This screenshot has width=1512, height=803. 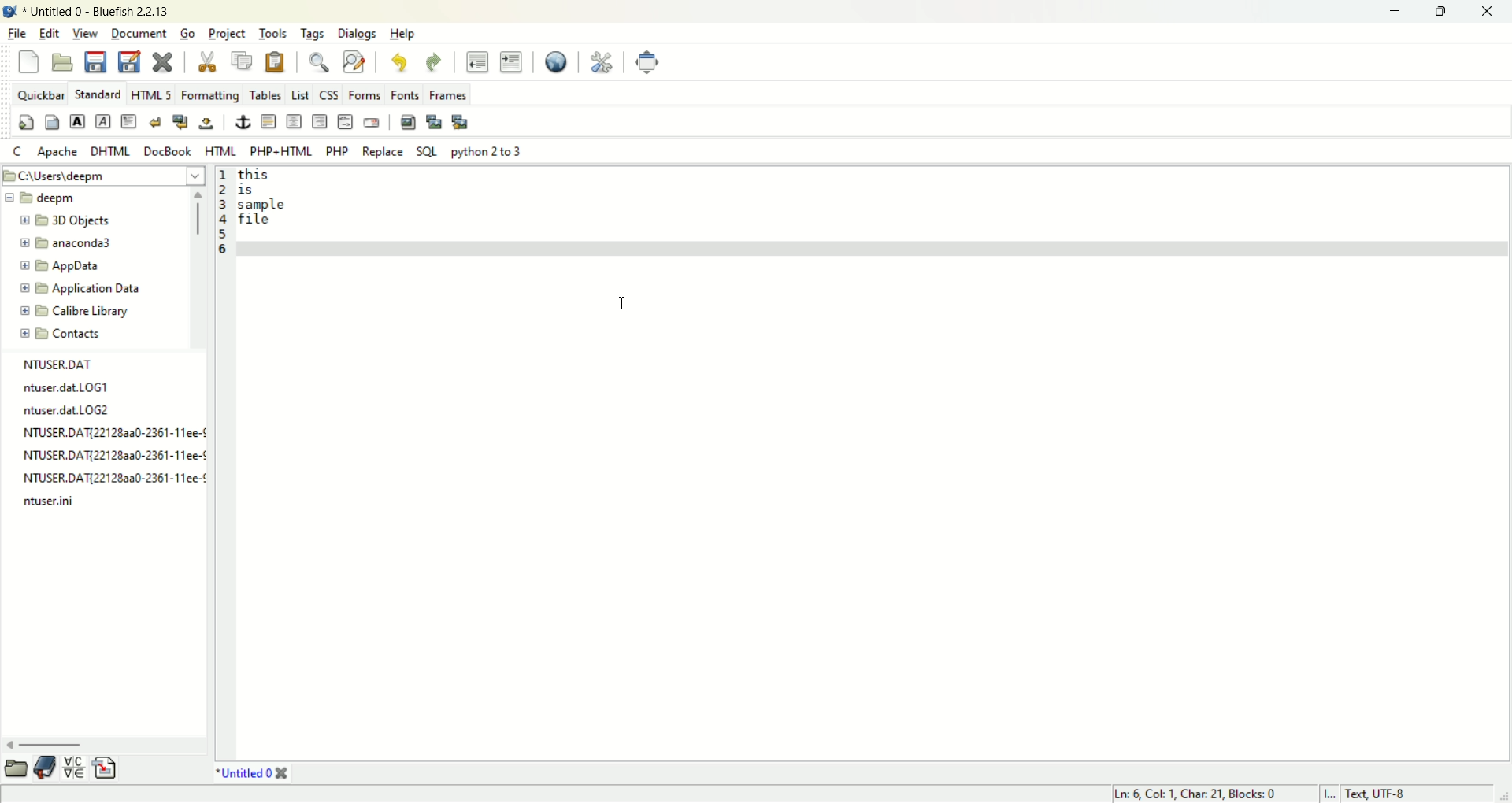 What do you see at coordinates (209, 94) in the screenshot?
I see `formatting` at bounding box center [209, 94].